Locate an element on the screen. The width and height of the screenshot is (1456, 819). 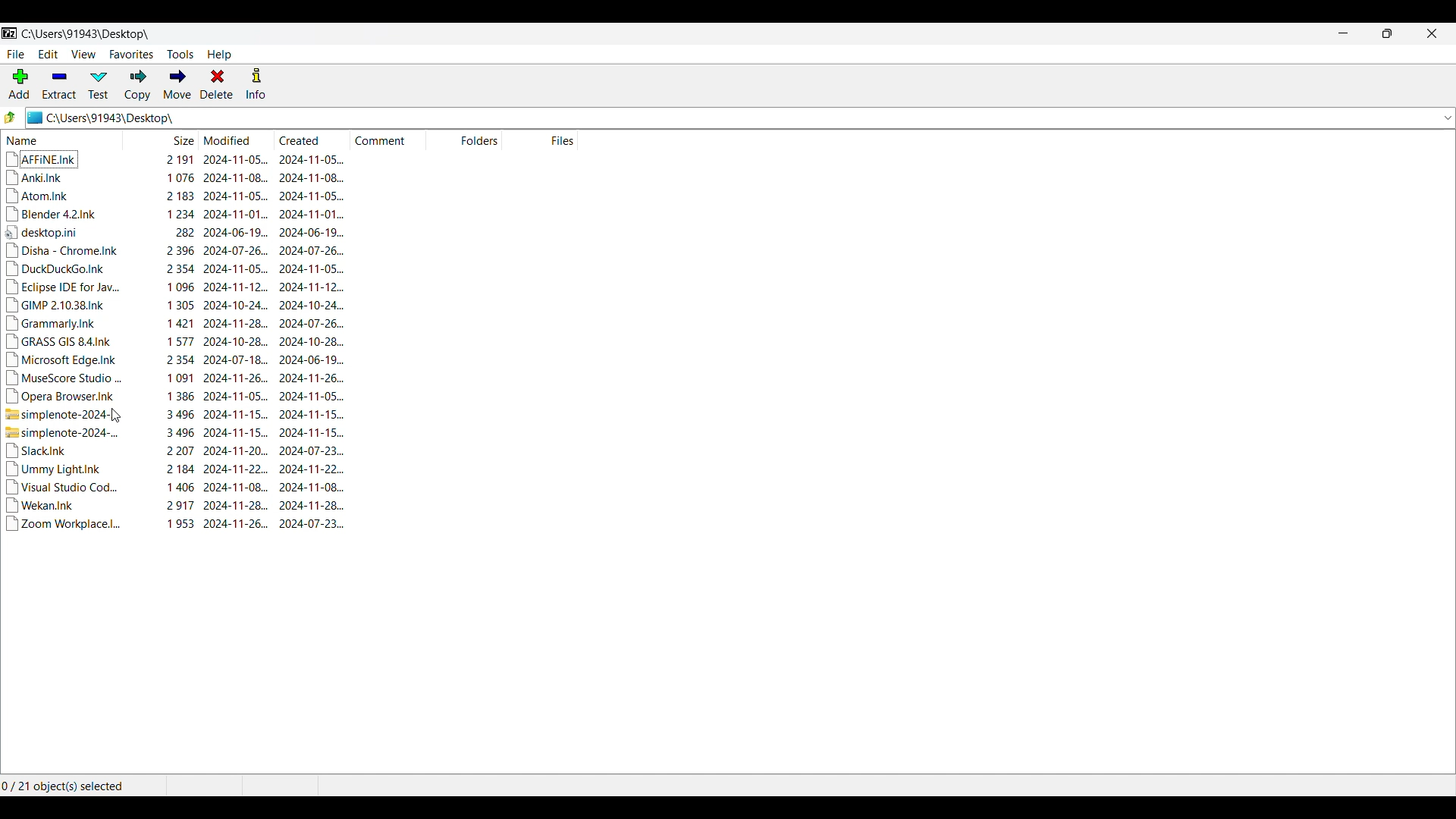
Microsoft Edge.Ink 2354 2024-07-18. 2024-06-19... is located at coordinates (177, 360).